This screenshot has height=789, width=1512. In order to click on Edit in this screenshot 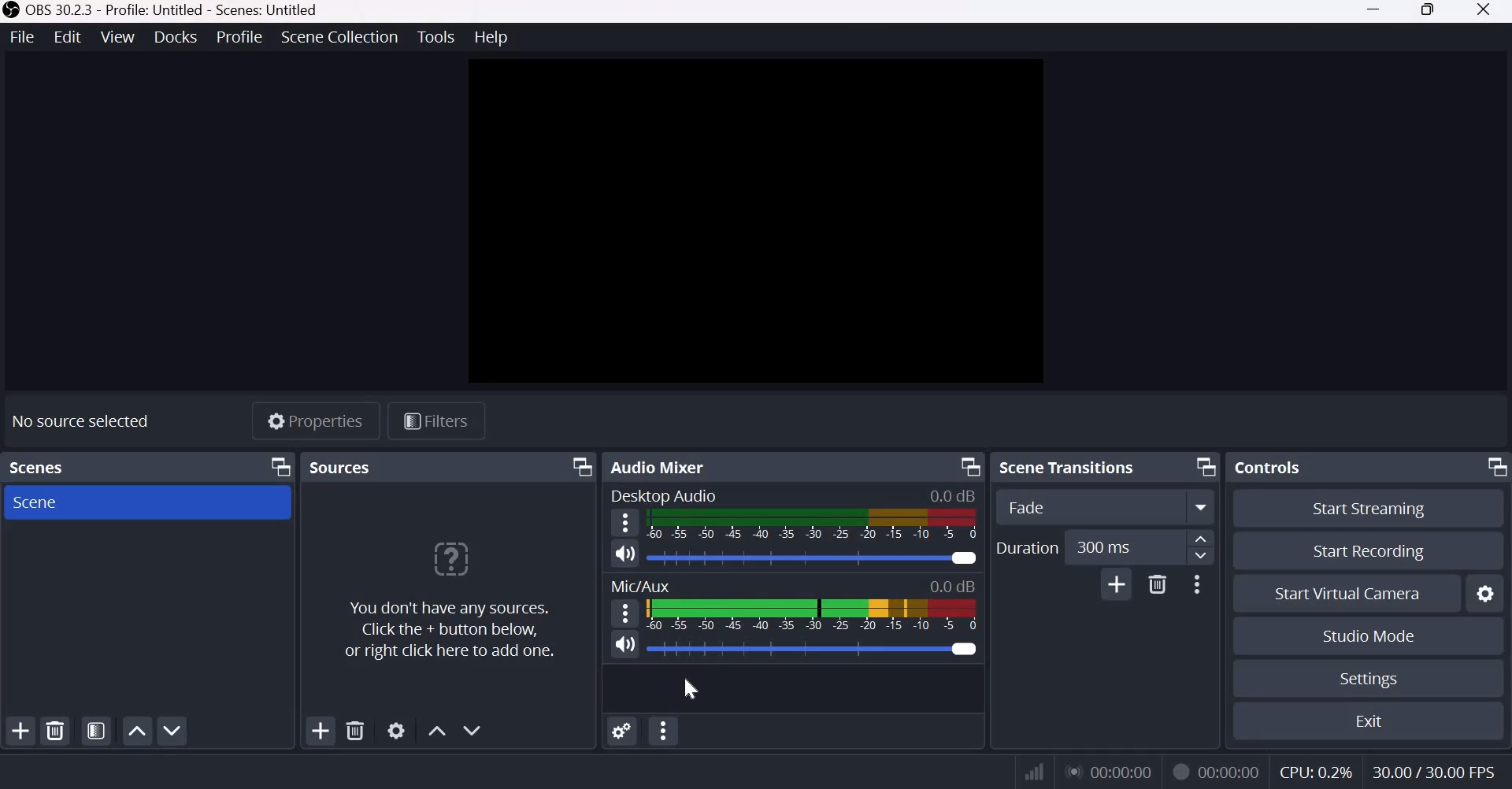, I will do `click(68, 39)`.